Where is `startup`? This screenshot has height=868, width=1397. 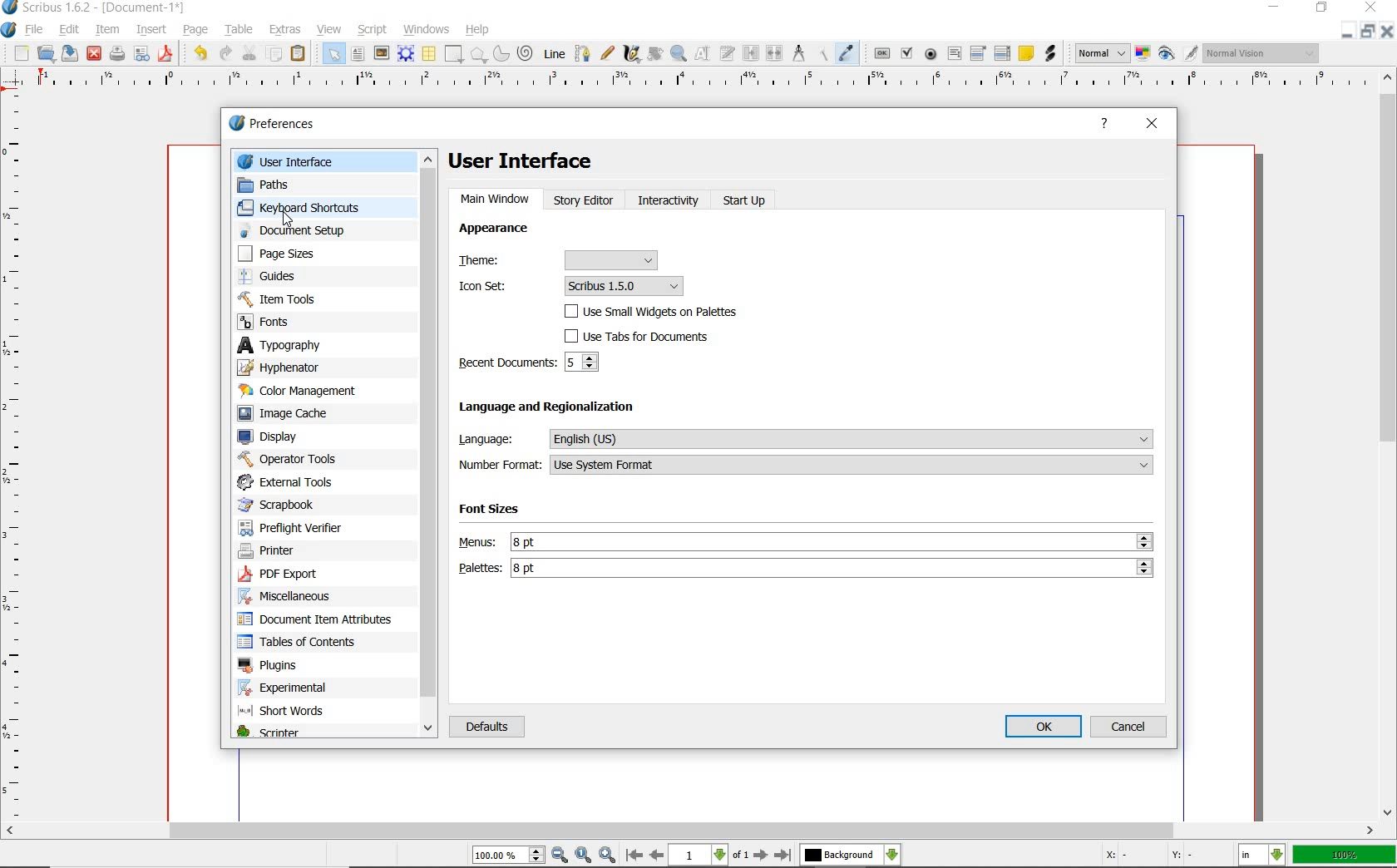
startup is located at coordinates (743, 204).